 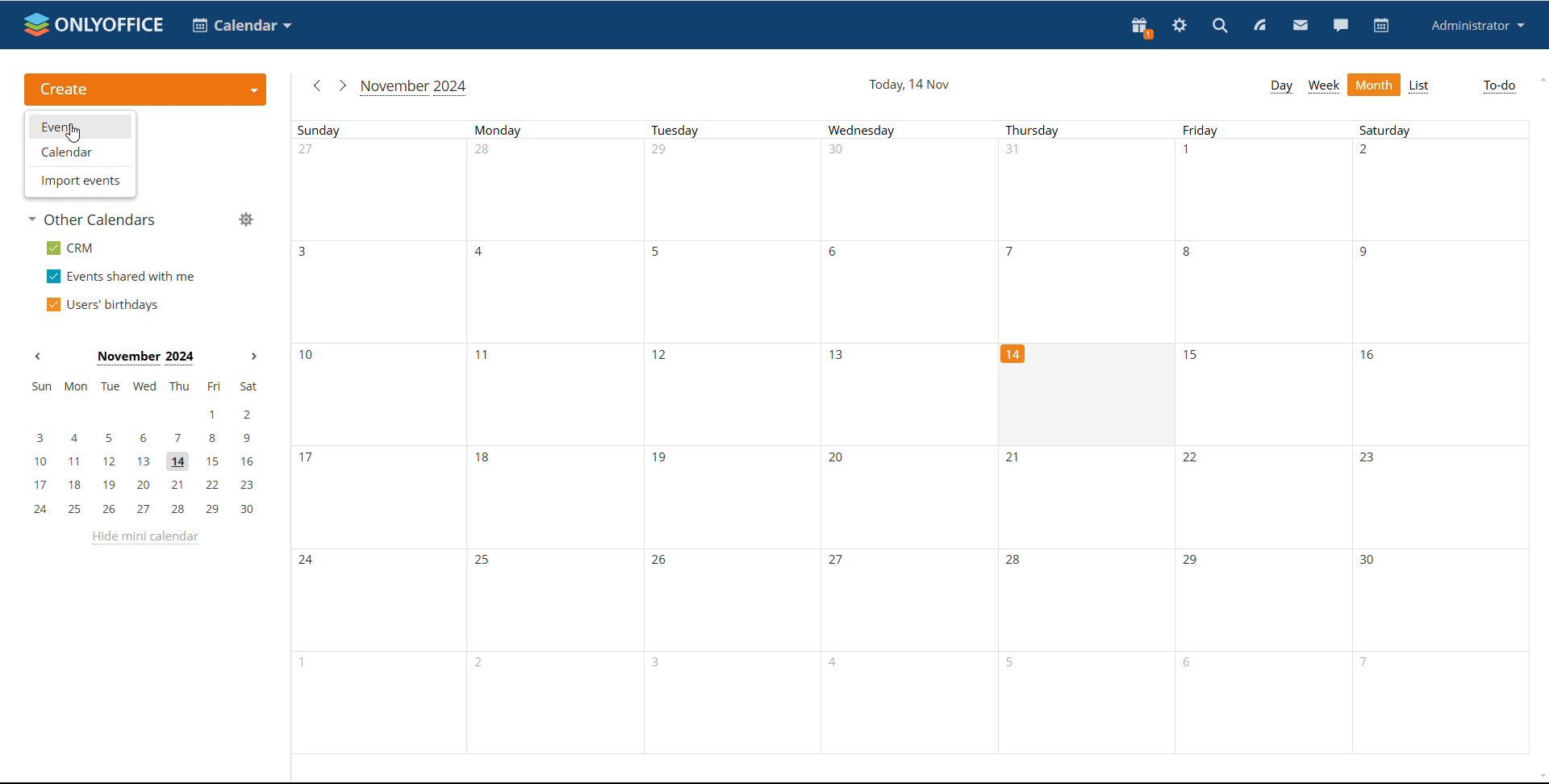 What do you see at coordinates (148, 510) in the screenshot?
I see `24, 25, 26, 27, 28, 29, 30 ` at bounding box center [148, 510].